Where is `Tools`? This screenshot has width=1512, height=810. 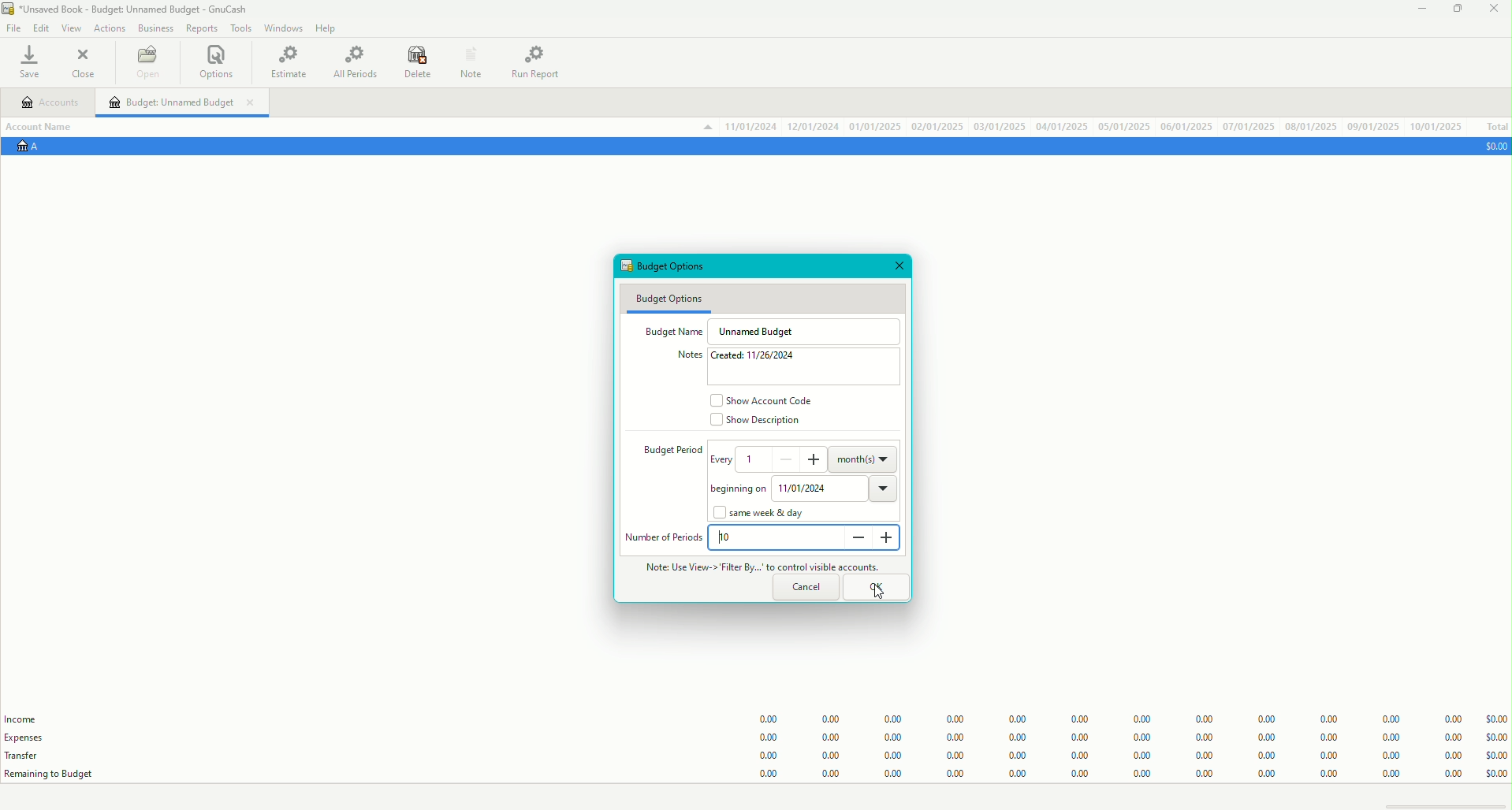
Tools is located at coordinates (237, 28).